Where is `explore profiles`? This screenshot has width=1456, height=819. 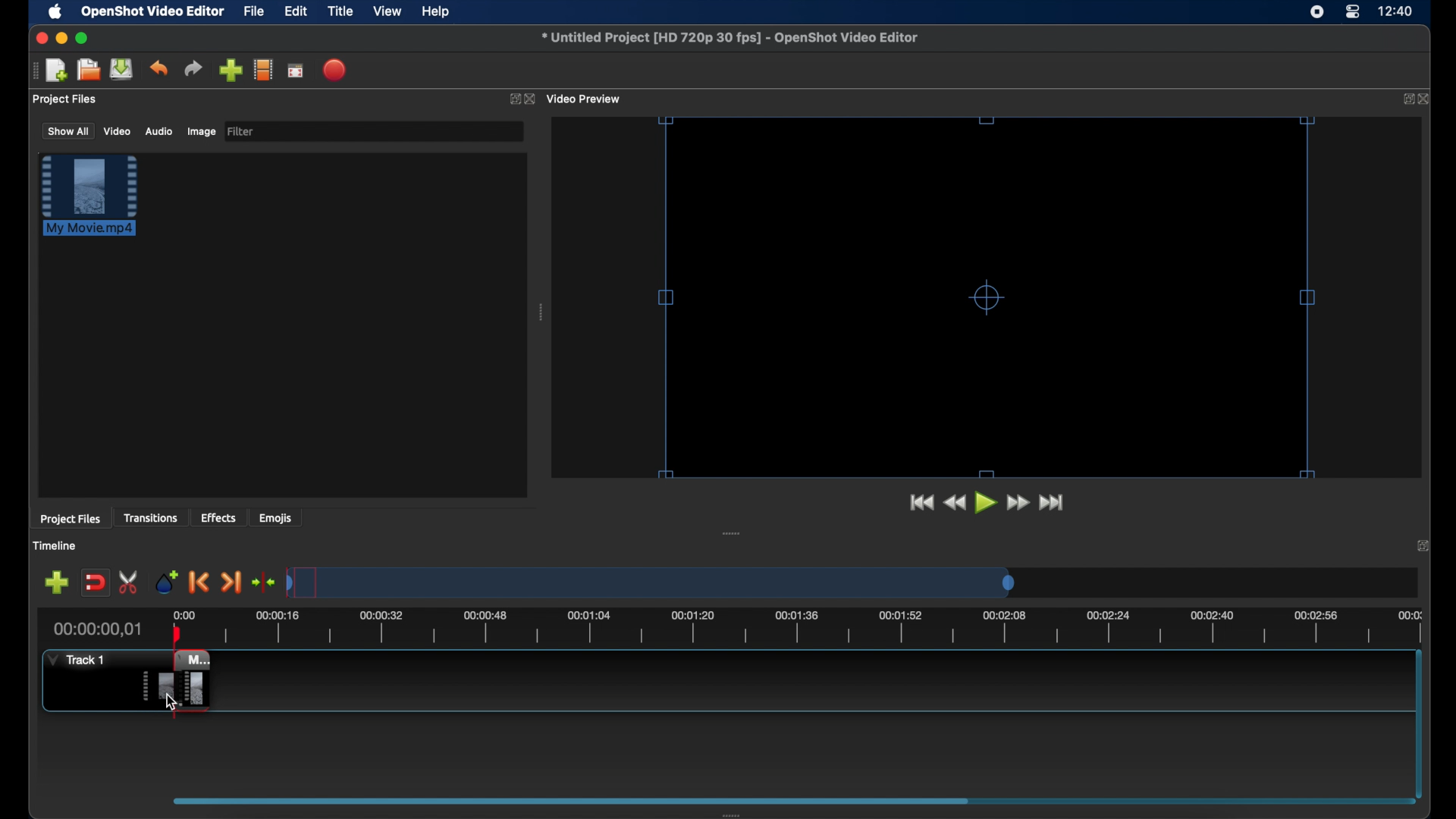
explore profiles is located at coordinates (262, 69).